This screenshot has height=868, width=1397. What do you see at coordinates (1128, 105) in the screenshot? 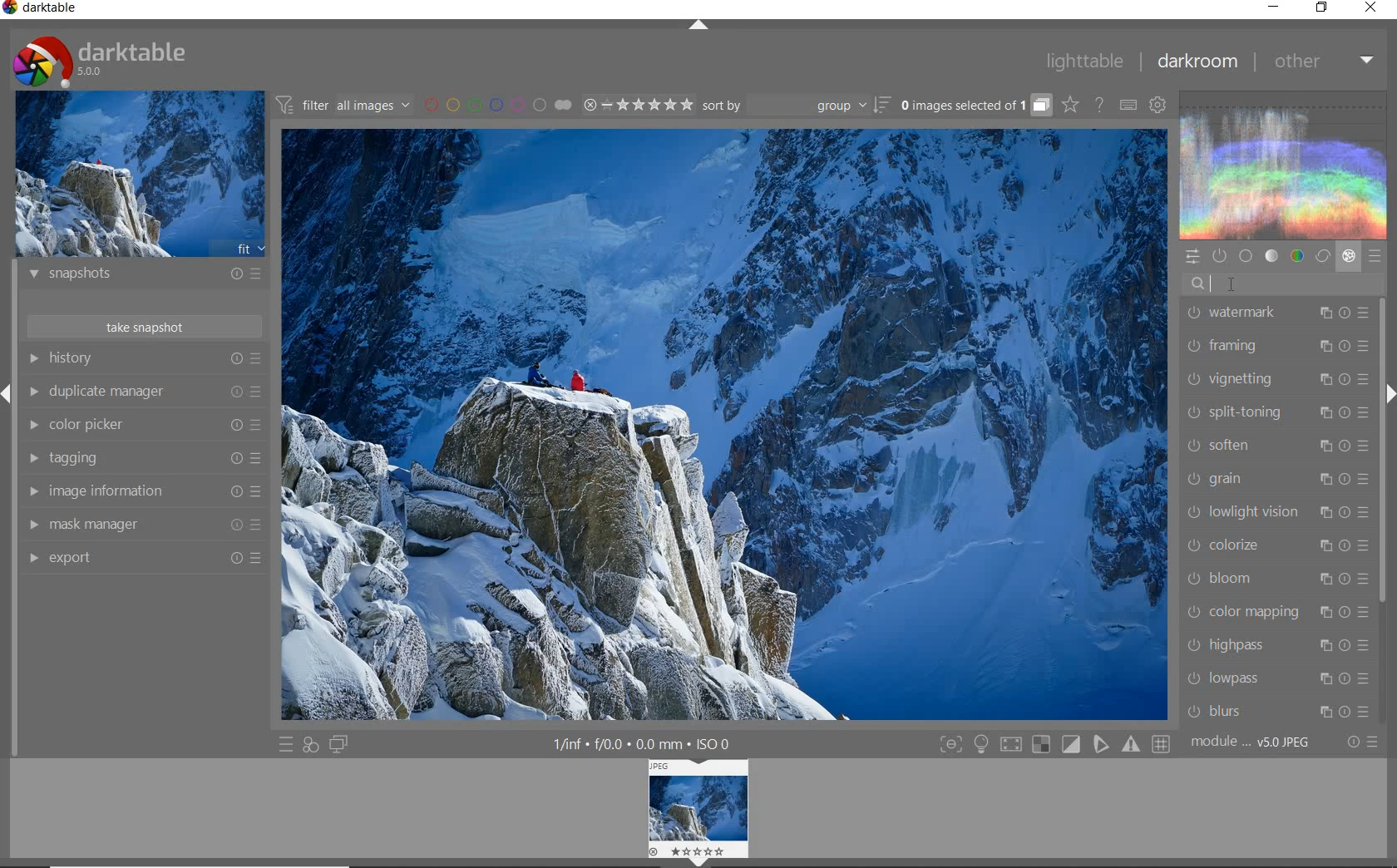
I see `set keyboard shortcuts` at bounding box center [1128, 105].